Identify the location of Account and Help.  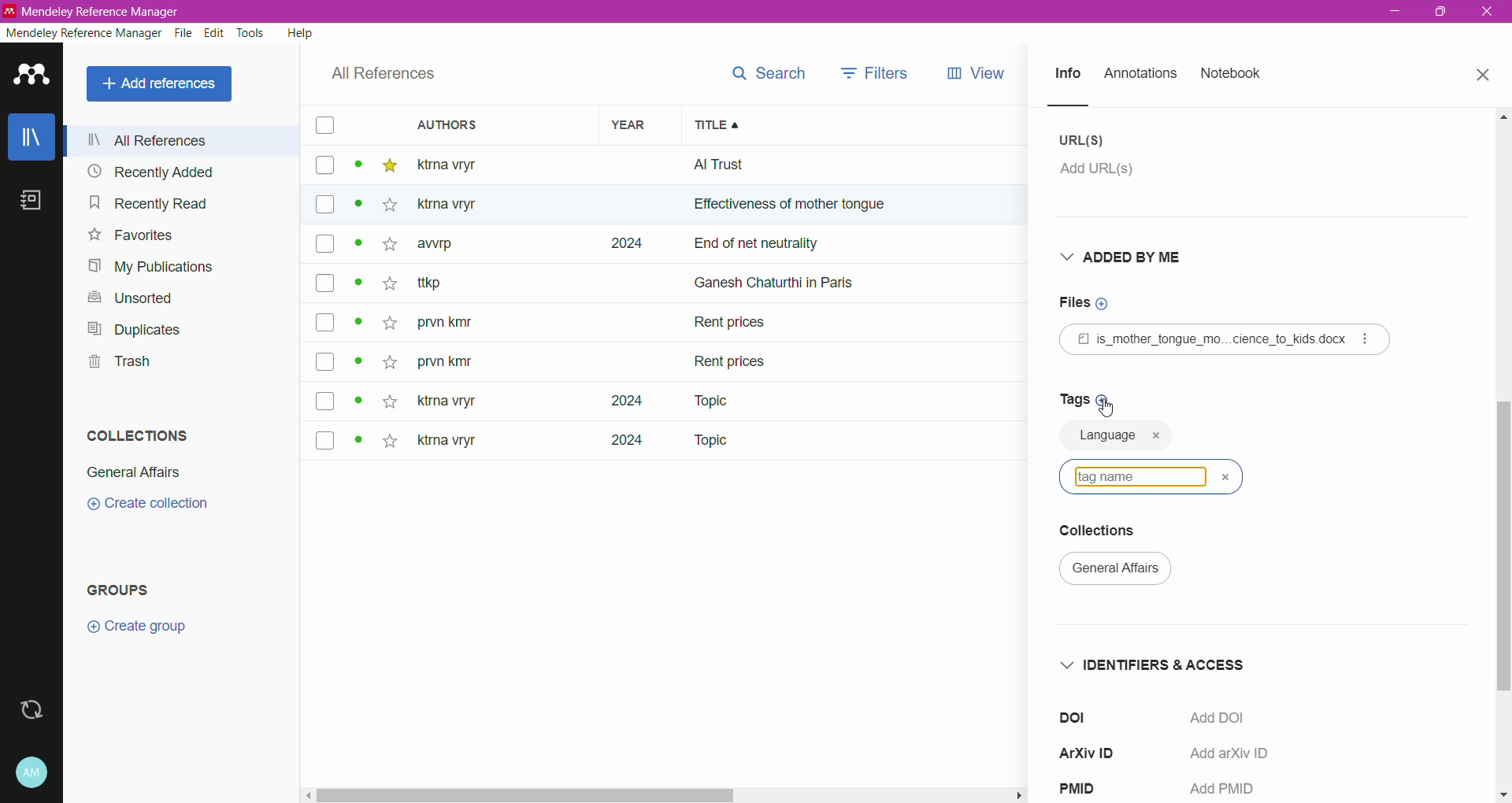
(32, 773).